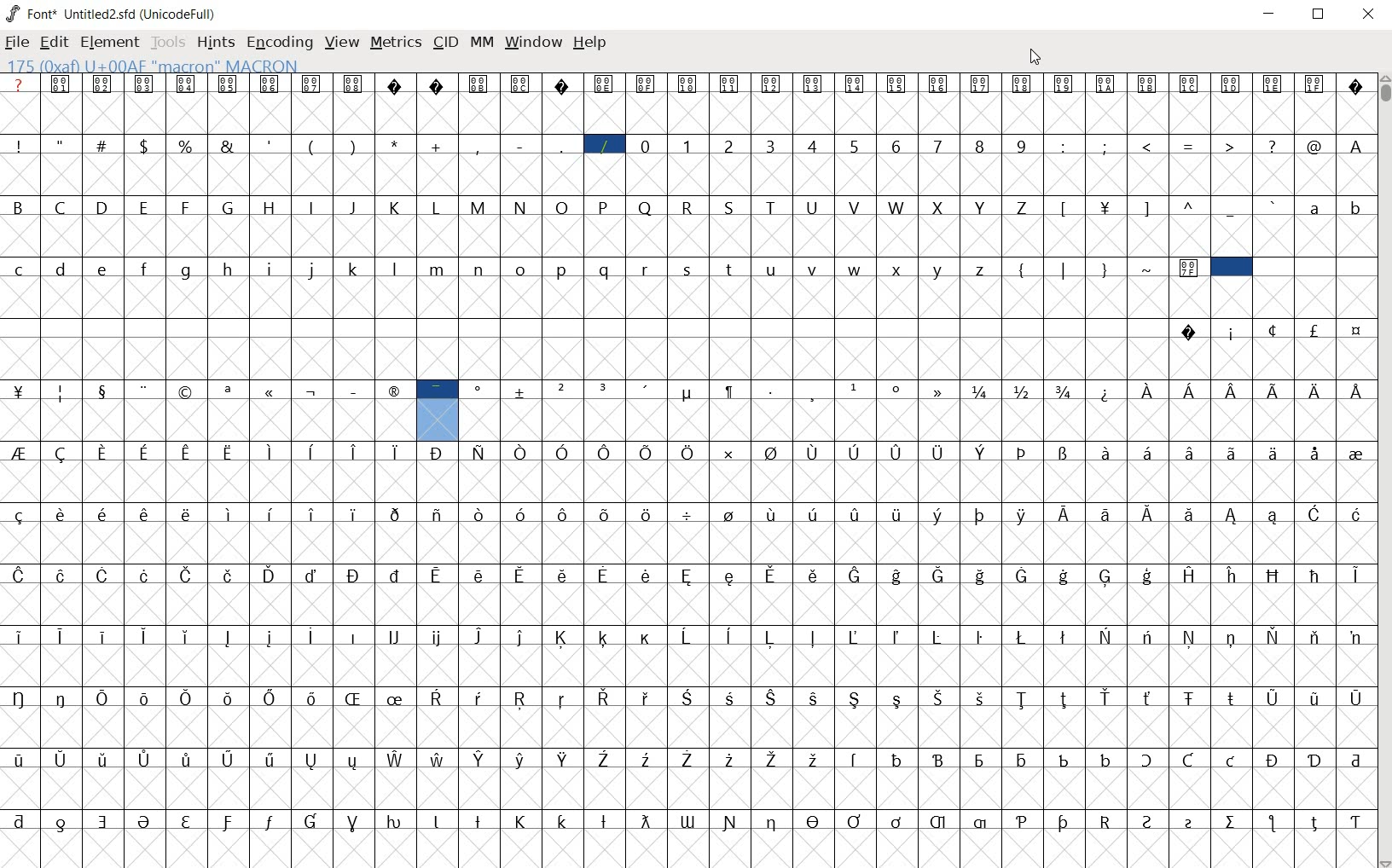 The image size is (1392, 868). Describe the element at coordinates (590, 44) in the screenshot. I see `HELP` at that location.